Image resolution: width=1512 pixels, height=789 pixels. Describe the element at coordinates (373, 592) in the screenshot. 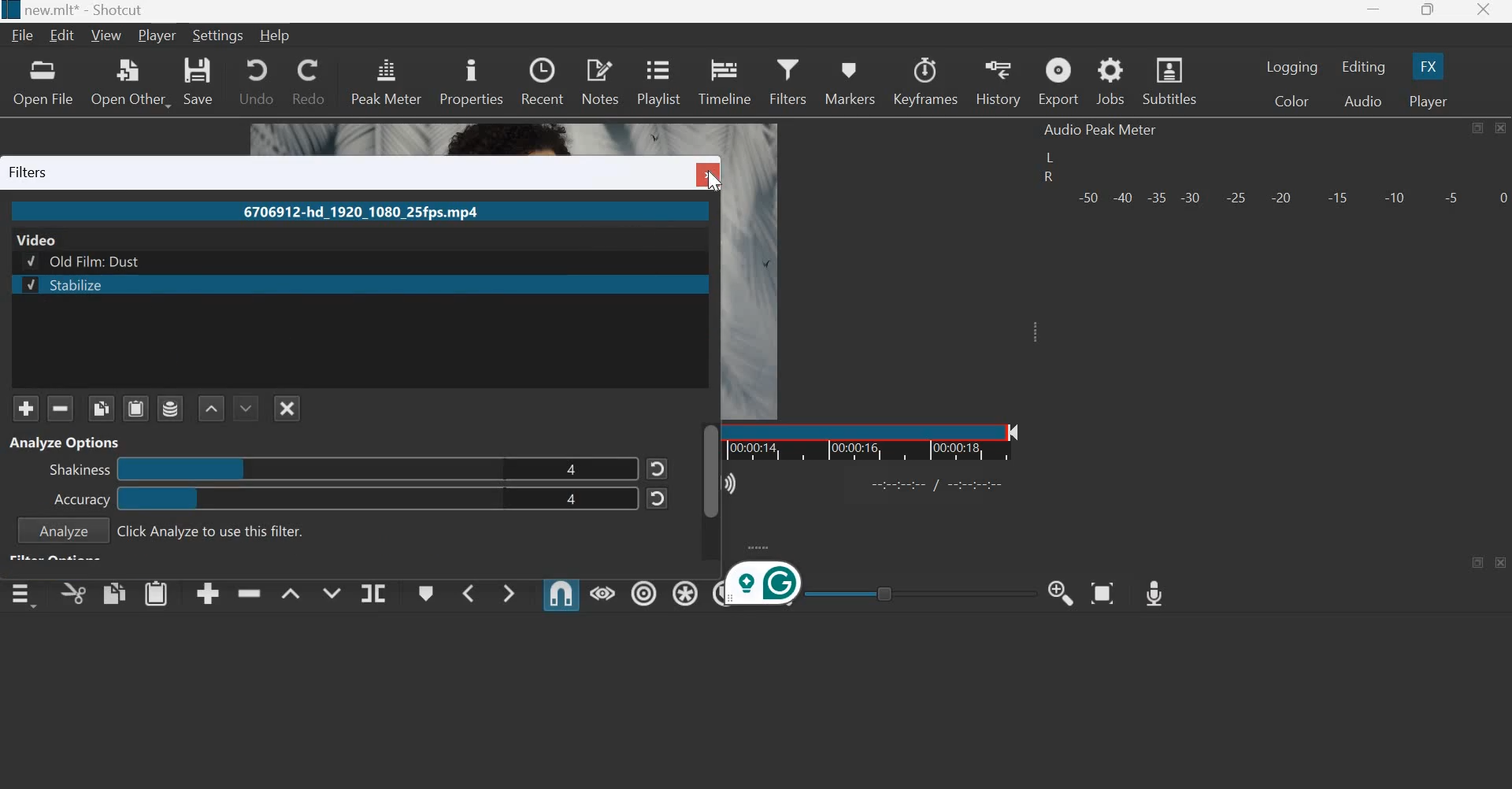

I see `Split at playhead` at that location.